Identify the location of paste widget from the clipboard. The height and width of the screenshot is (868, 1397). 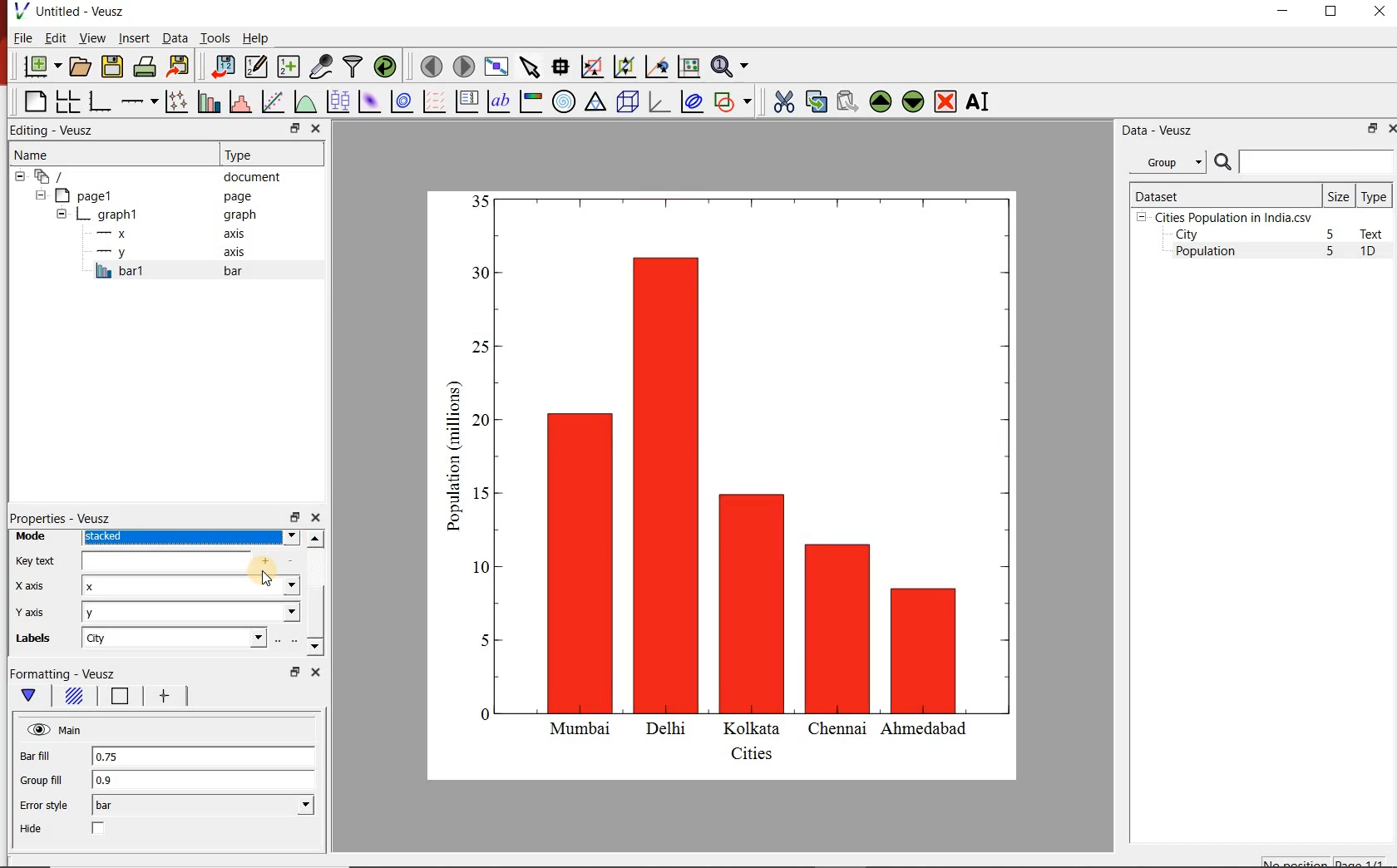
(847, 101).